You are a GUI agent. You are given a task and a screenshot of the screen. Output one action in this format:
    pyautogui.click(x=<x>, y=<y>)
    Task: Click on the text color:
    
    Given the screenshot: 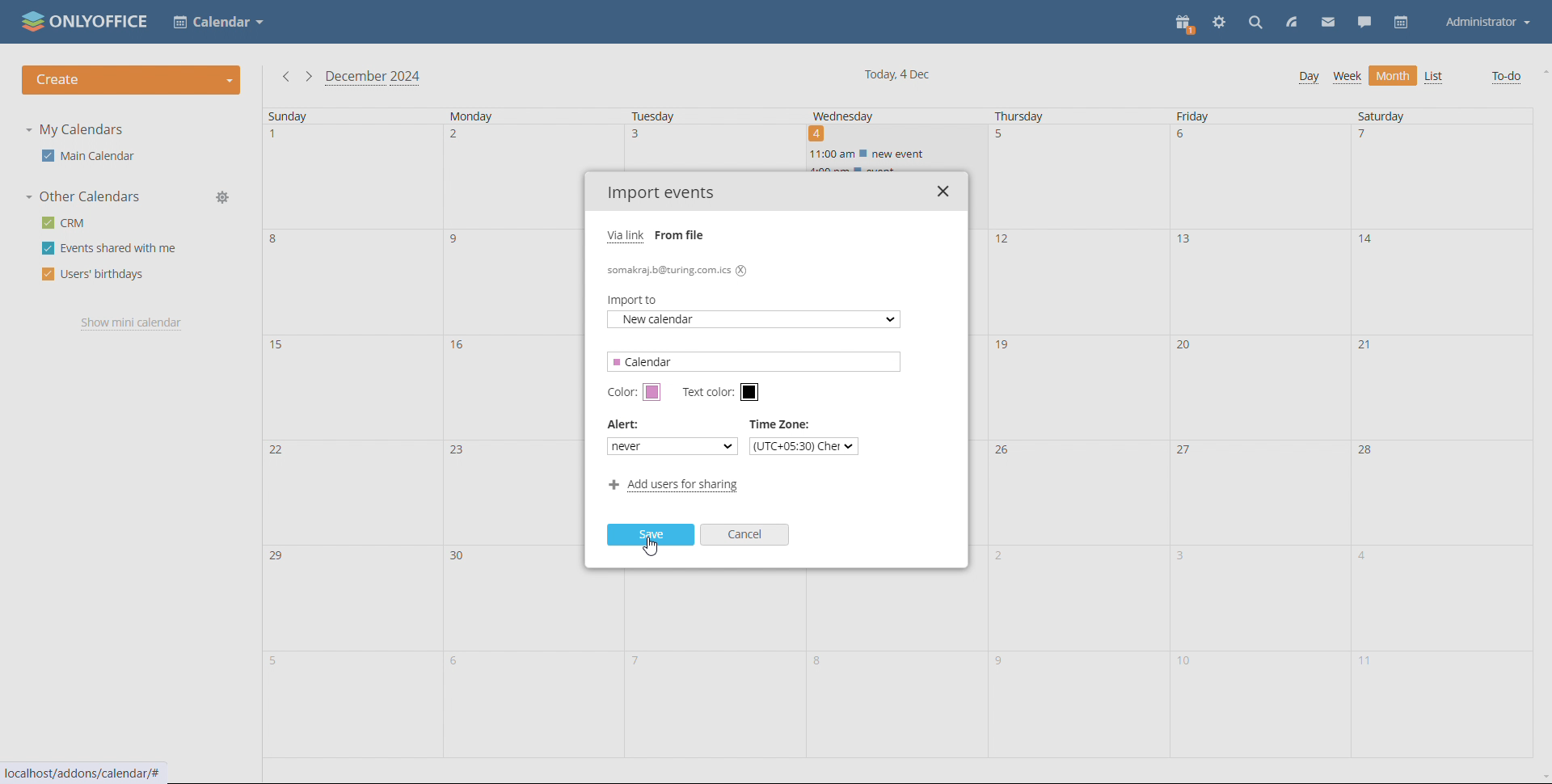 What is the action you would take?
    pyautogui.click(x=711, y=393)
    